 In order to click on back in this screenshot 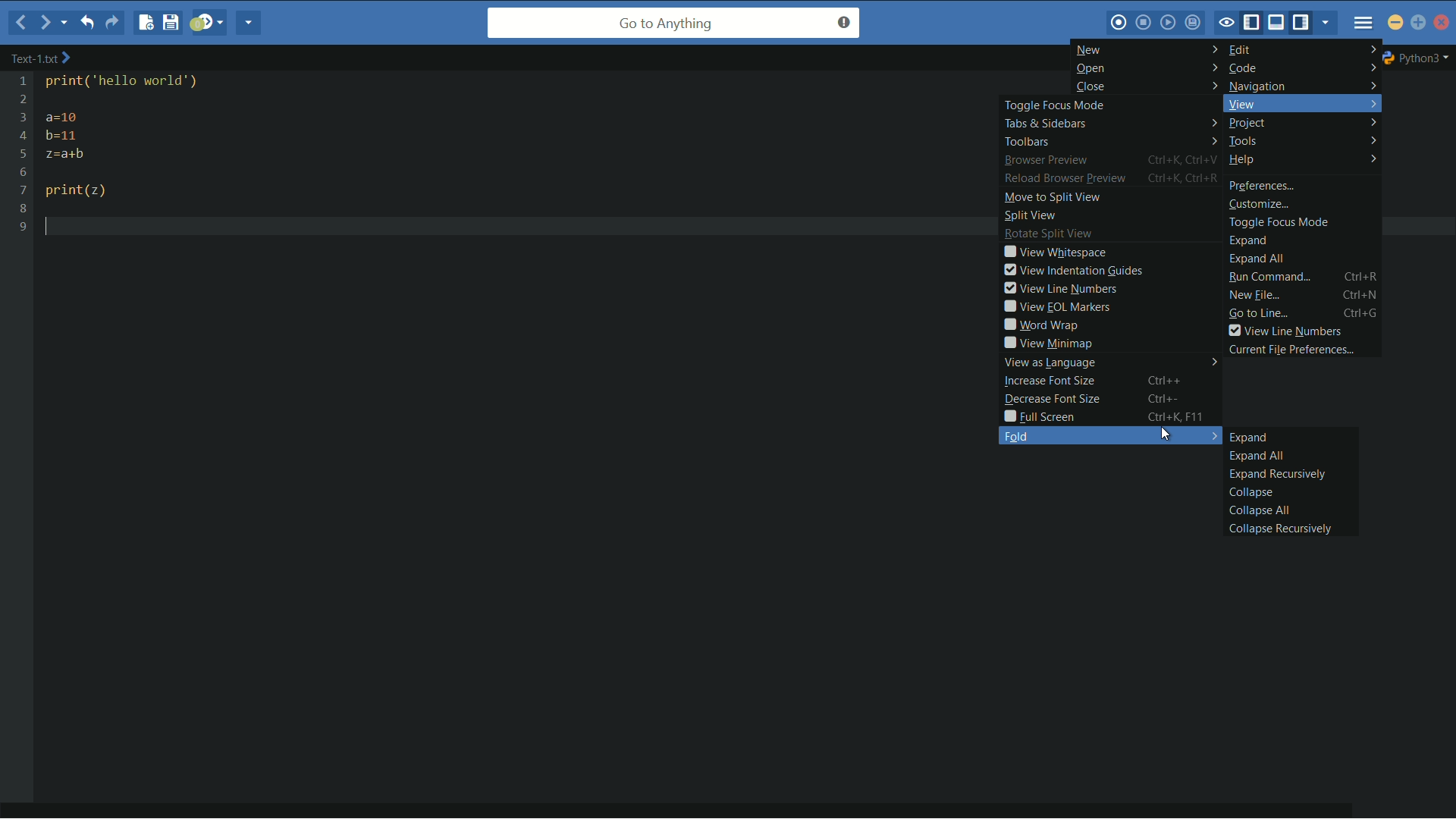, I will do `click(17, 24)`.